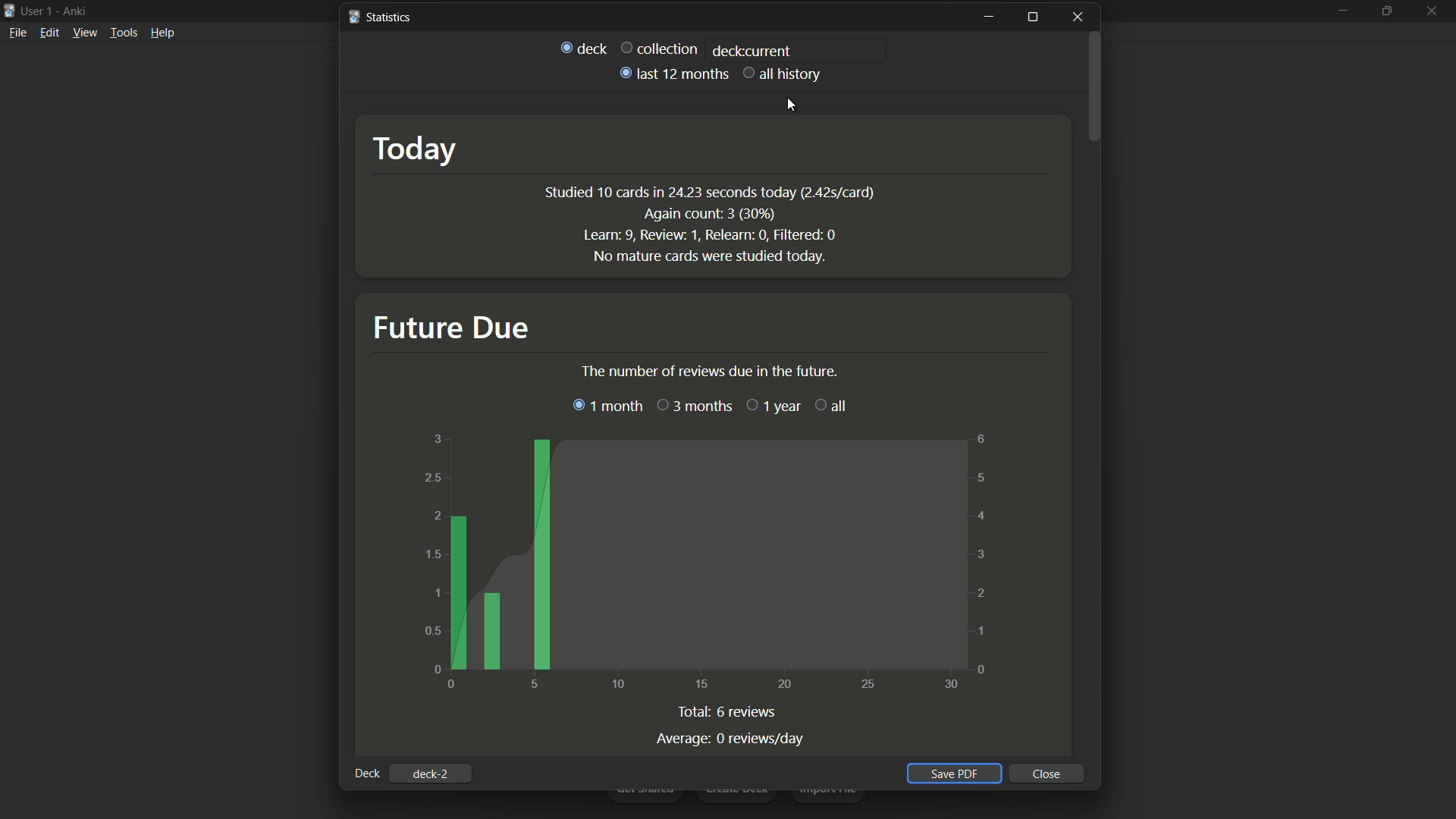  Describe the element at coordinates (608, 406) in the screenshot. I see `1 month` at that location.